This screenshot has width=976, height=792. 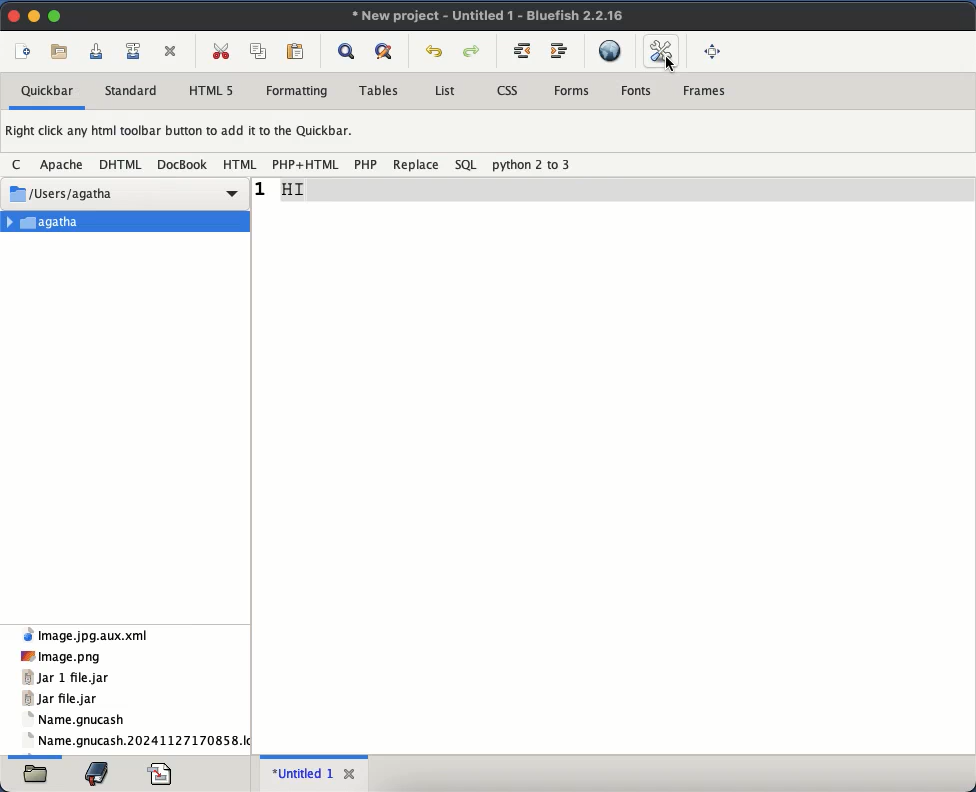 What do you see at coordinates (126, 194) in the screenshot?
I see `users Agatha` at bounding box center [126, 194].